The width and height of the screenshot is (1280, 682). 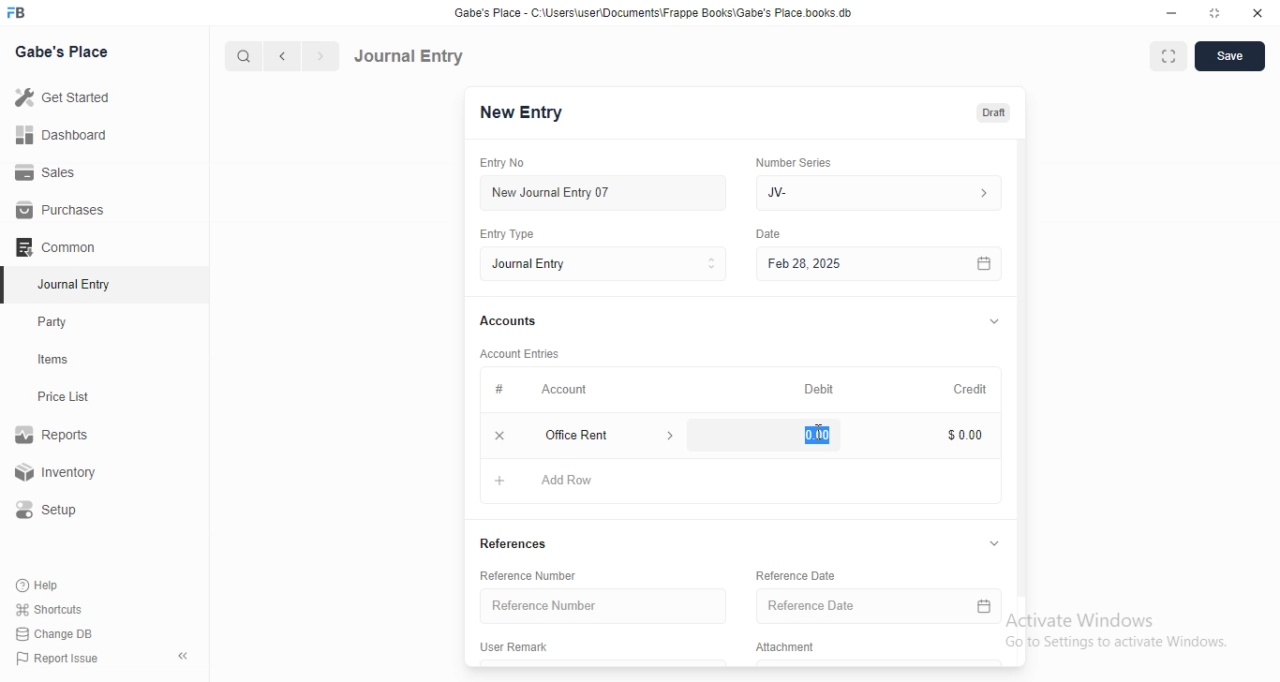 I want to click on Reports., so click(x=55, y=438).